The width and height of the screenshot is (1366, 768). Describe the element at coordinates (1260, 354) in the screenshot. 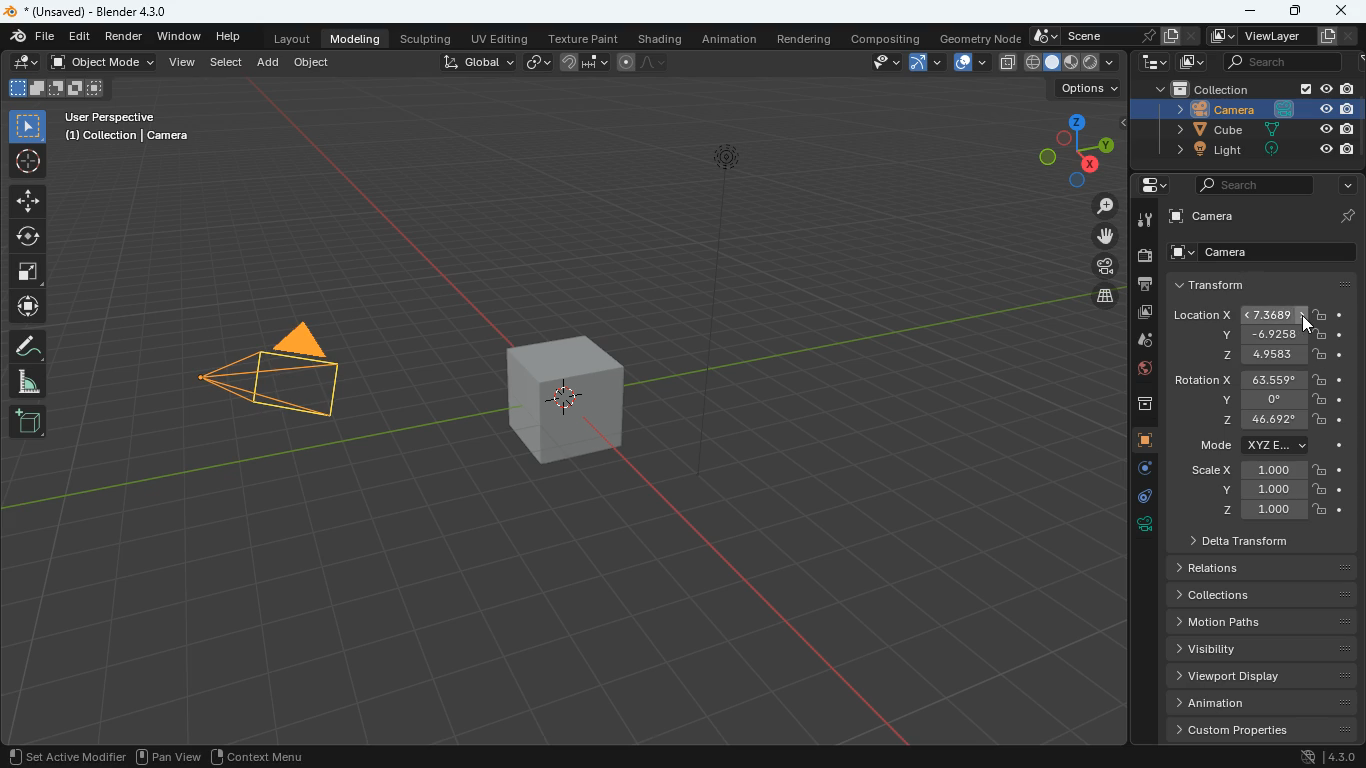

I see `z` at that location.